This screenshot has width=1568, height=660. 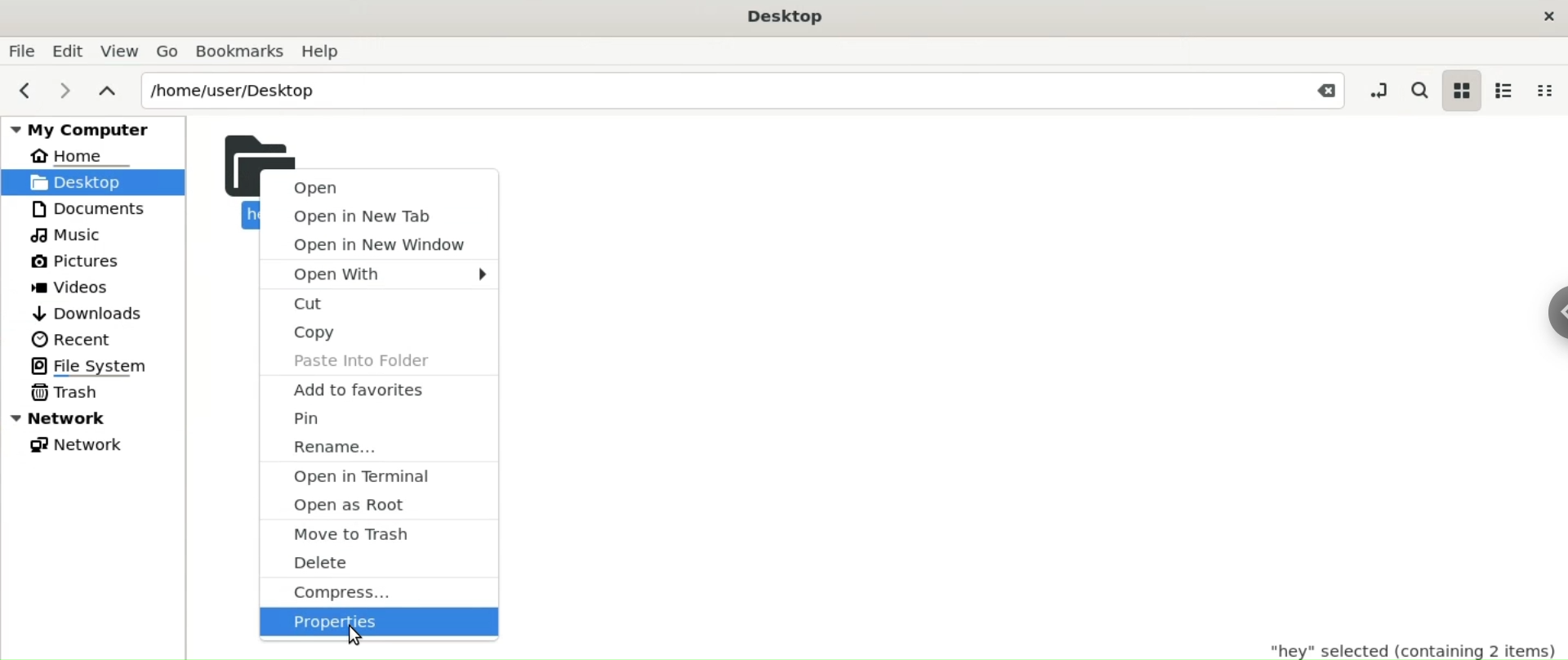 What do you see at coordinates (75, 444) in the screenshot?
I see `Network` at bounding box center [75, 444].